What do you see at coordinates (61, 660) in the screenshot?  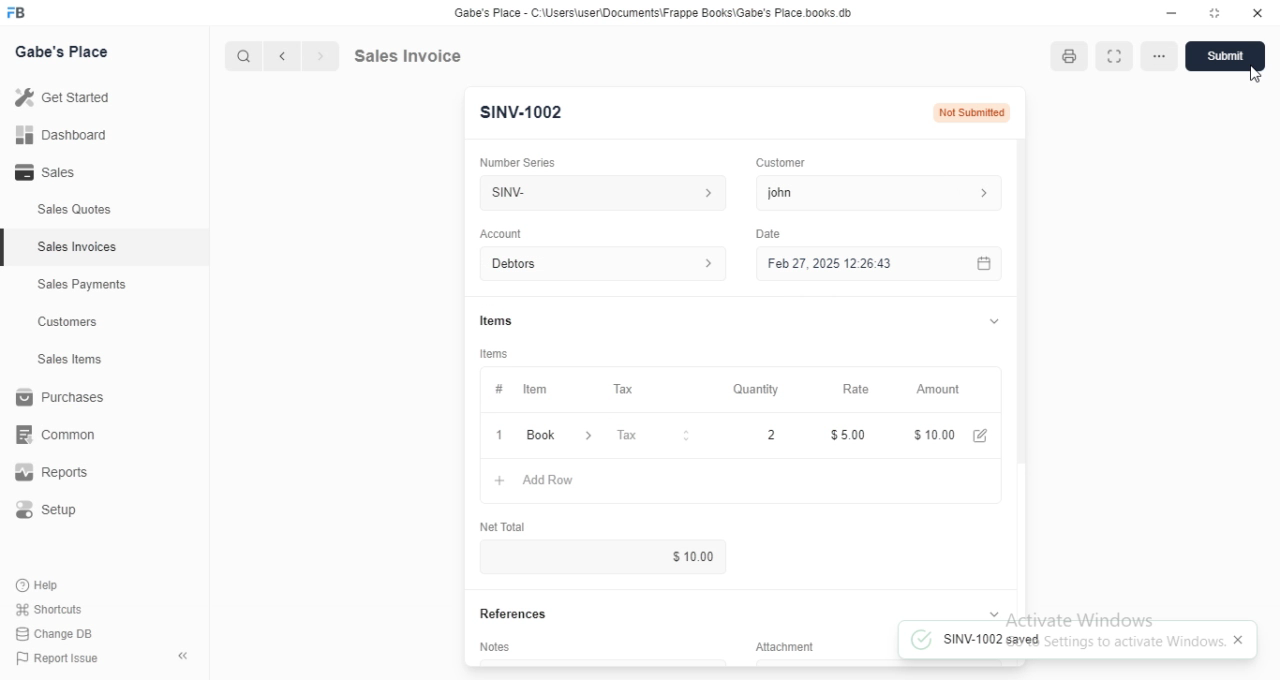 I see `Report Issue` at bounding box center [61, 660].